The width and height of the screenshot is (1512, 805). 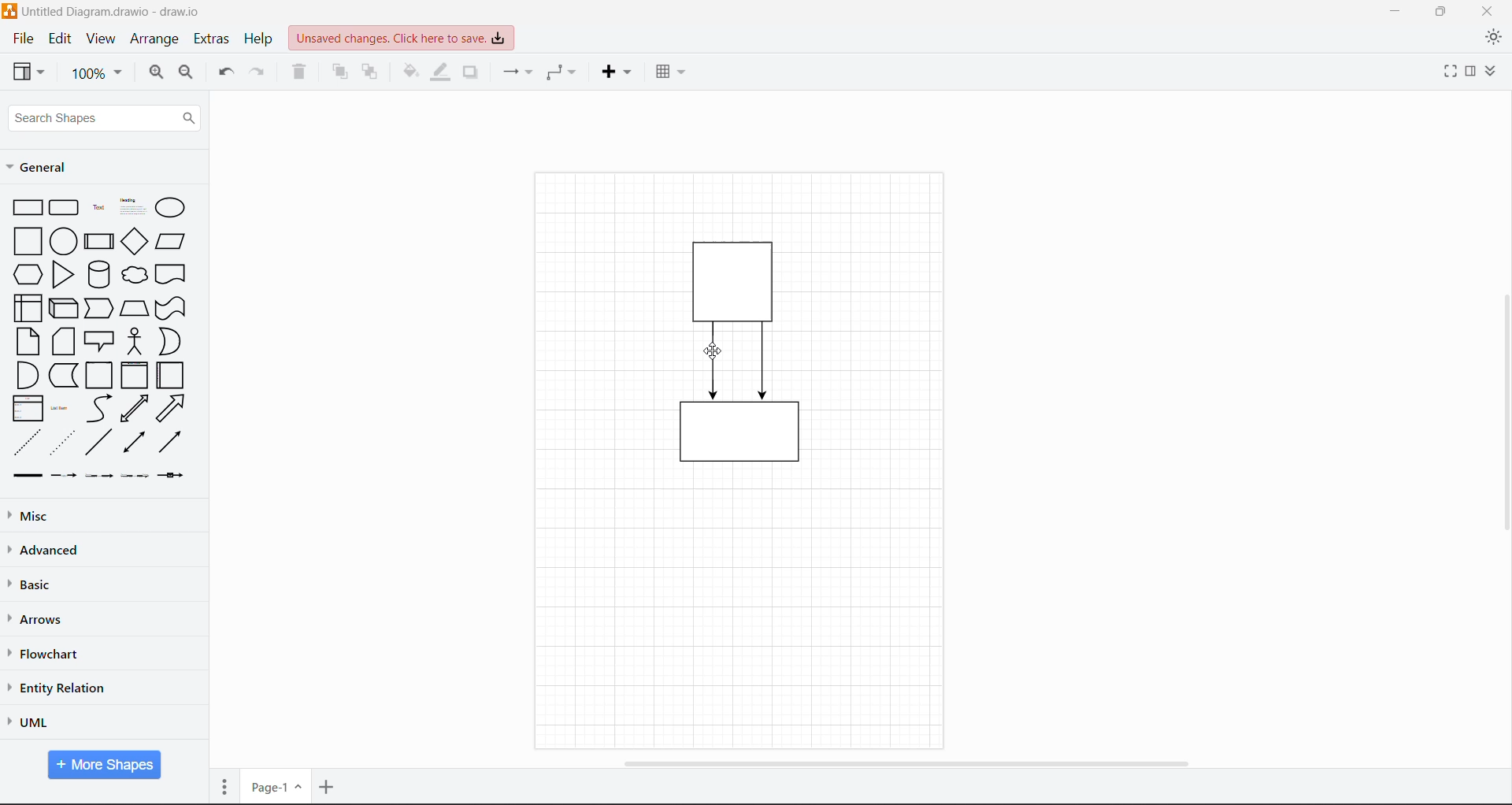 I want to click on Container, so click(x=134, y=375).